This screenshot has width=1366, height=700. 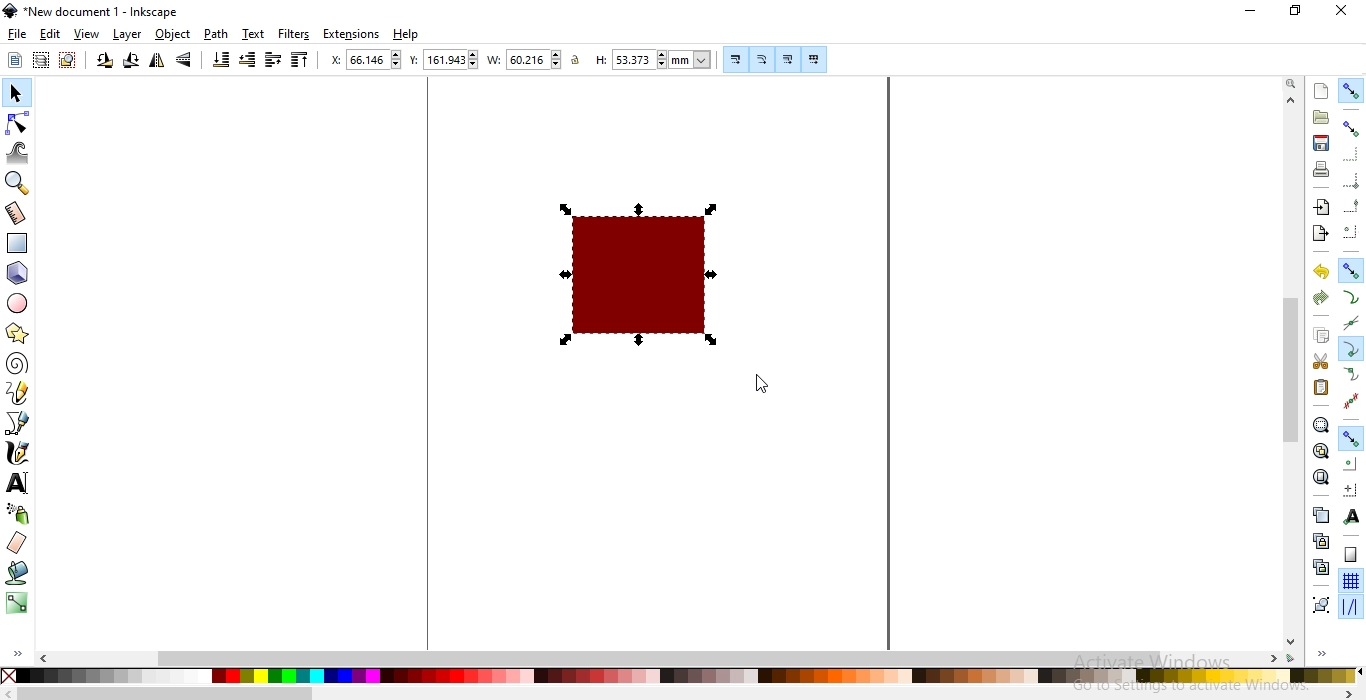 I want to click on snap bounding boxes, so click(x=1352, y=128).